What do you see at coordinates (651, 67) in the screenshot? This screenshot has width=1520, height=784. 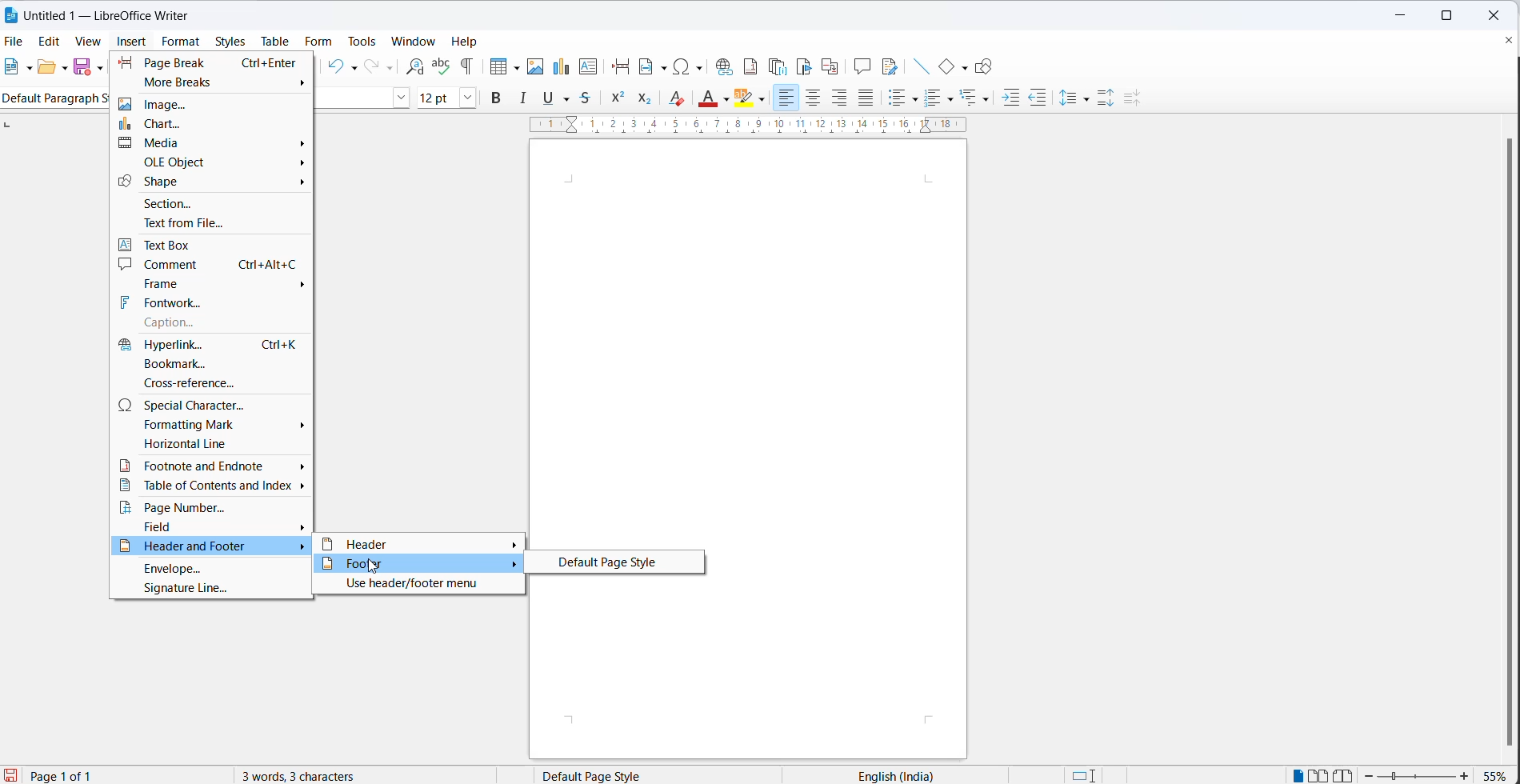 I see `insert field` at bounding box center [651, 67].